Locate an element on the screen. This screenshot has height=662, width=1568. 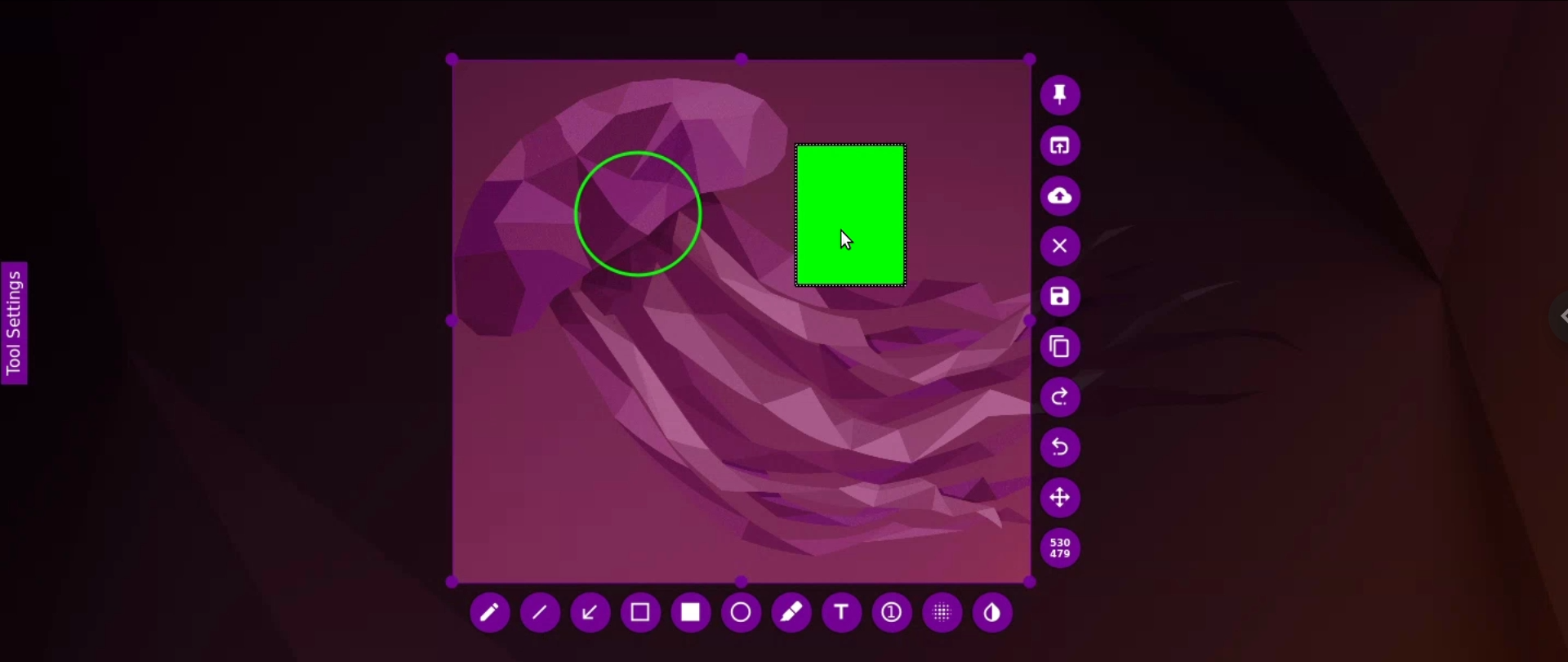
move is located at coordinates (1063, 499).